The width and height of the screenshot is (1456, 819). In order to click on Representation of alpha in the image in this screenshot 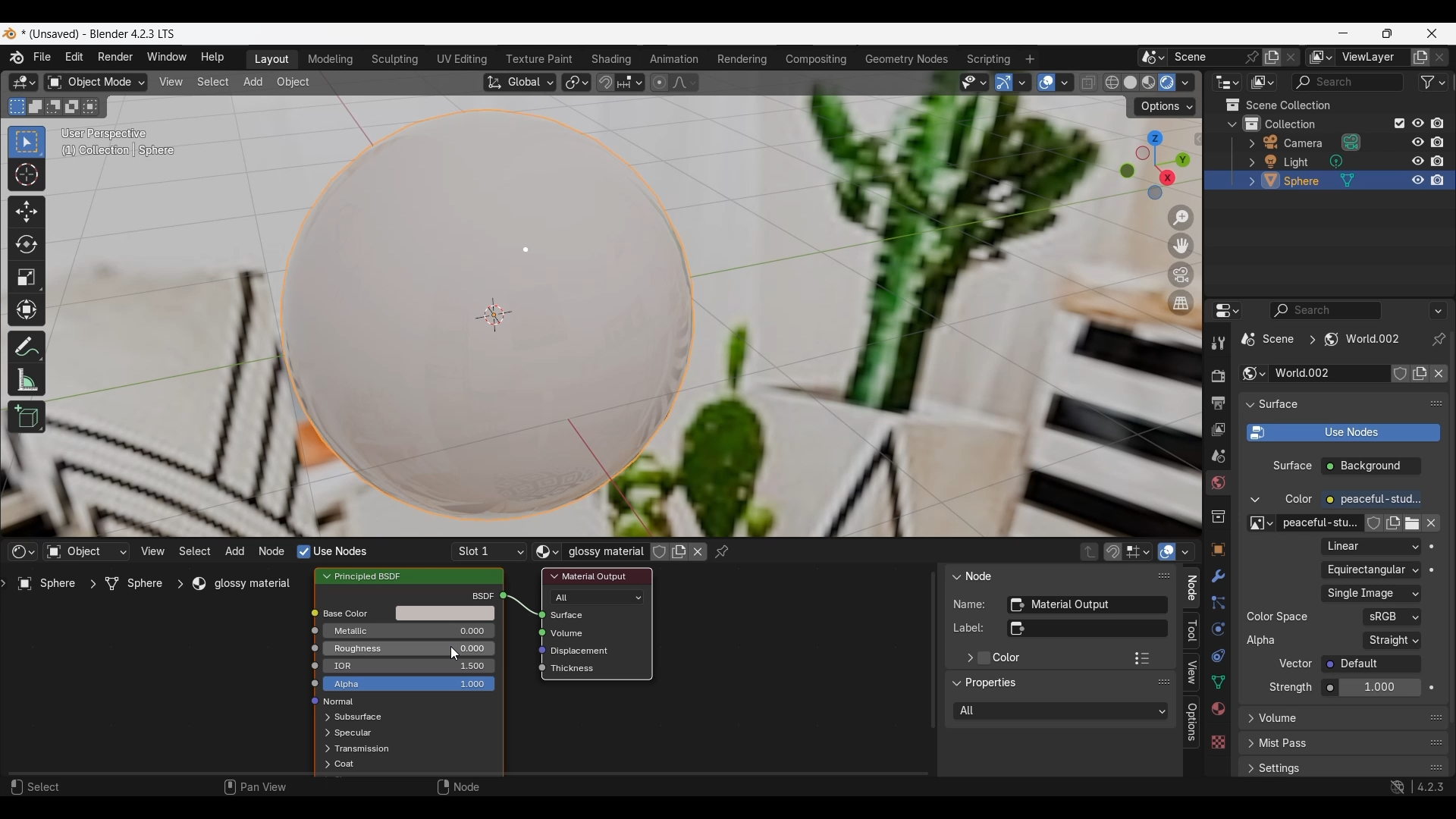, I will do `click(1392, 640)`.